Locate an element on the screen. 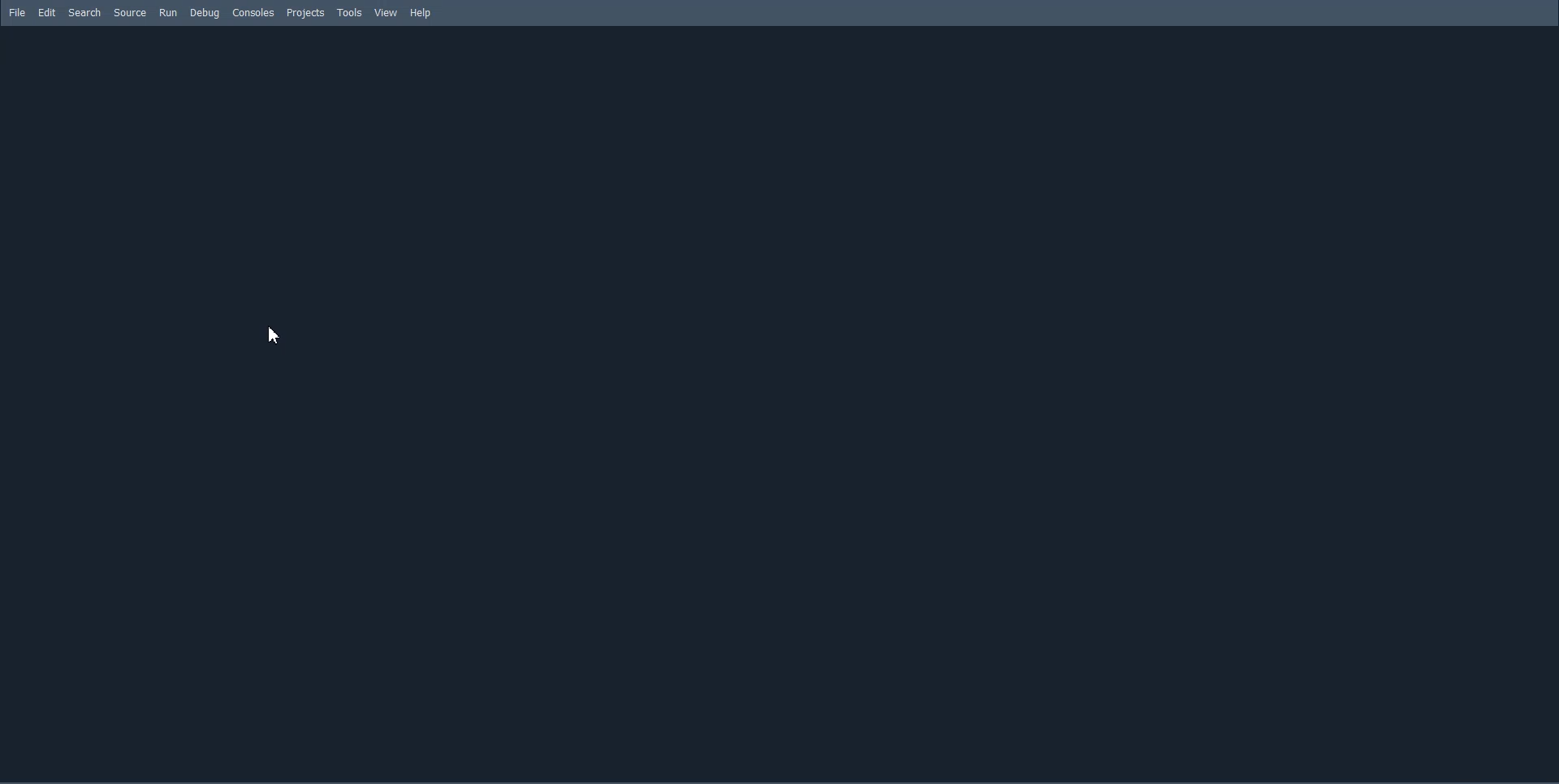 The height and width of the screenshot is (784, 1559). Projects is located at coordinates (305, 12).